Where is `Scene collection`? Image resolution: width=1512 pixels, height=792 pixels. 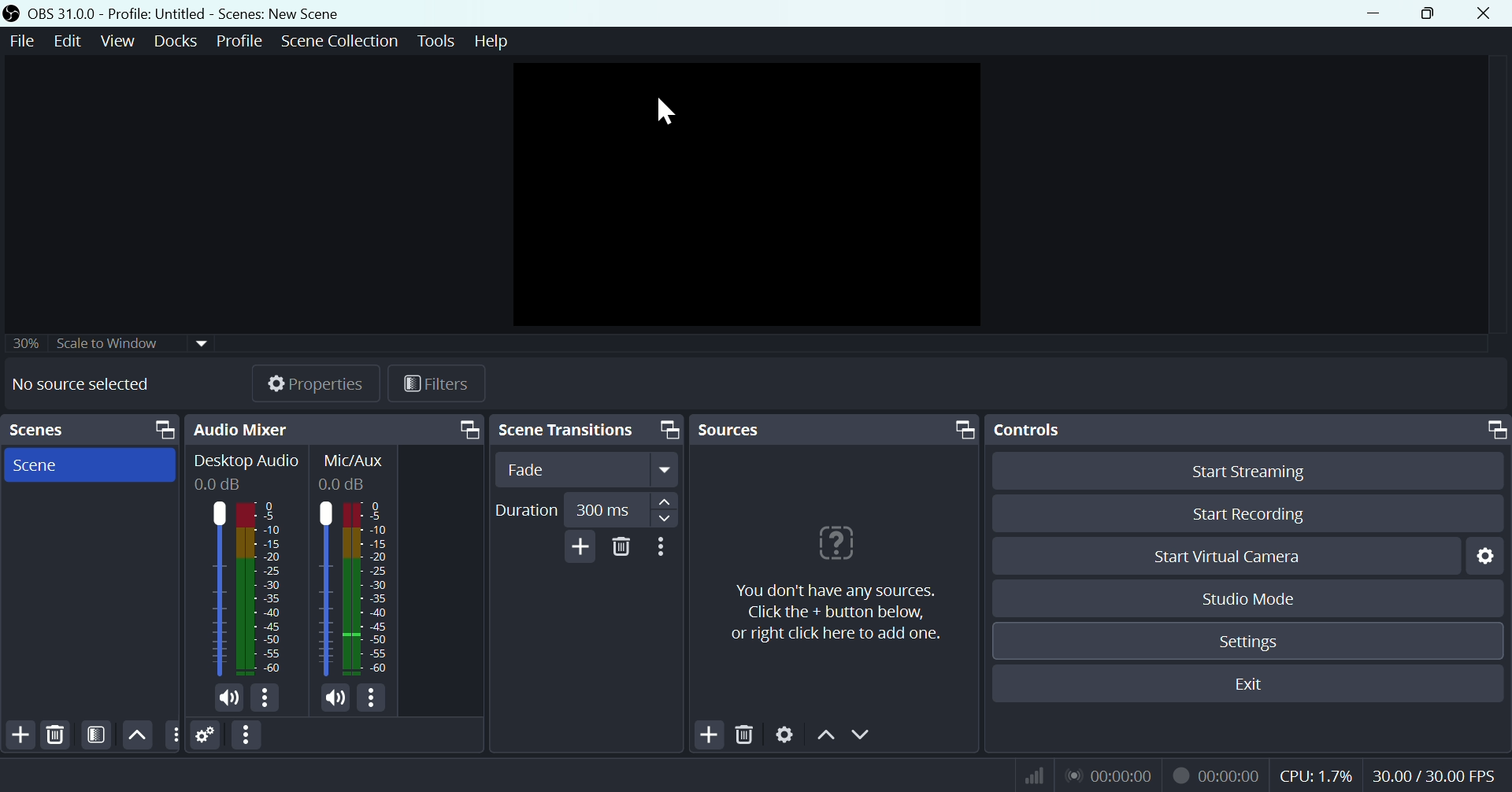
Scene collection is located at coordinates (338, 39).